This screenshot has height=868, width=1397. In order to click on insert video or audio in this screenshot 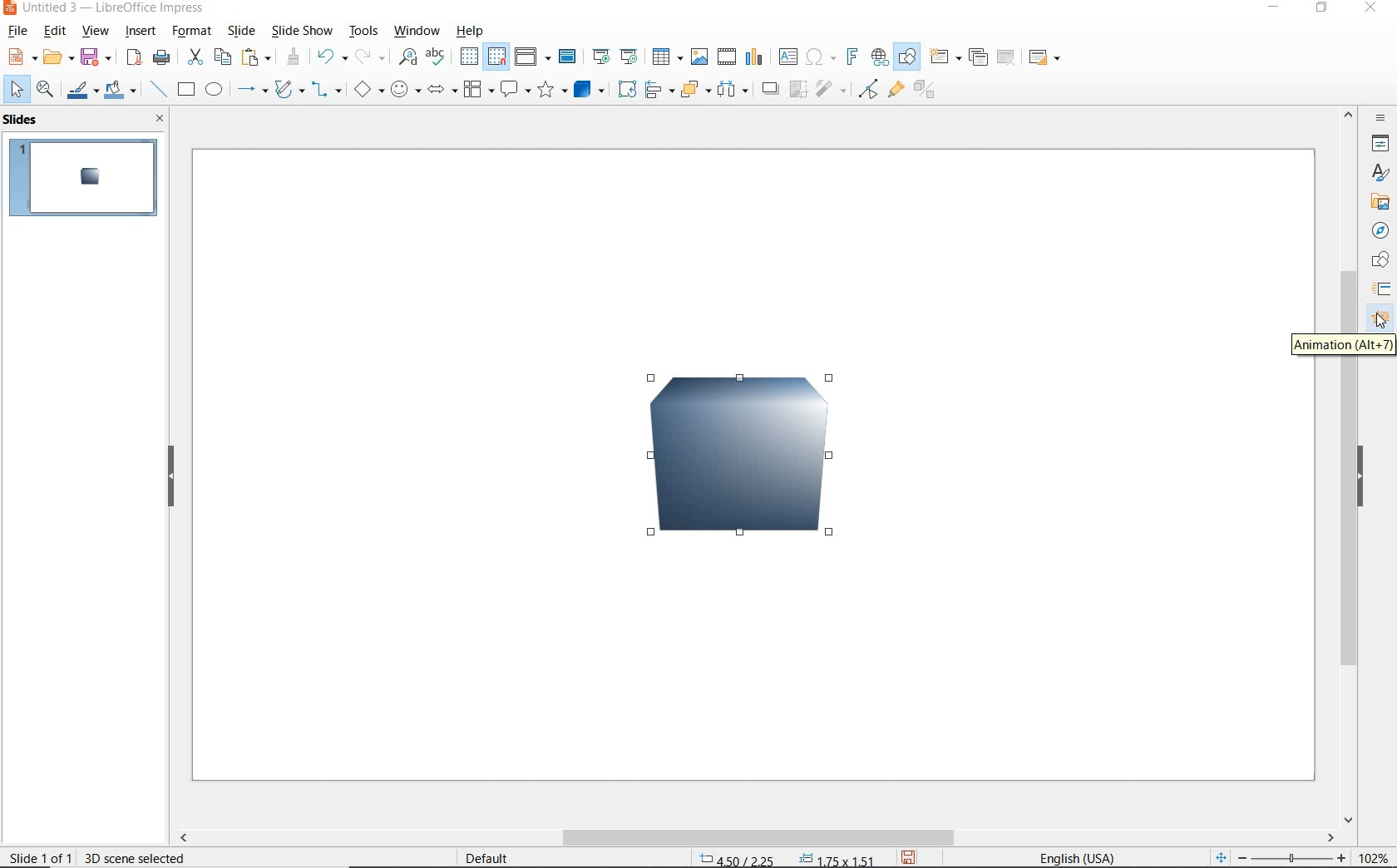, I will do `click(728, 57)`.